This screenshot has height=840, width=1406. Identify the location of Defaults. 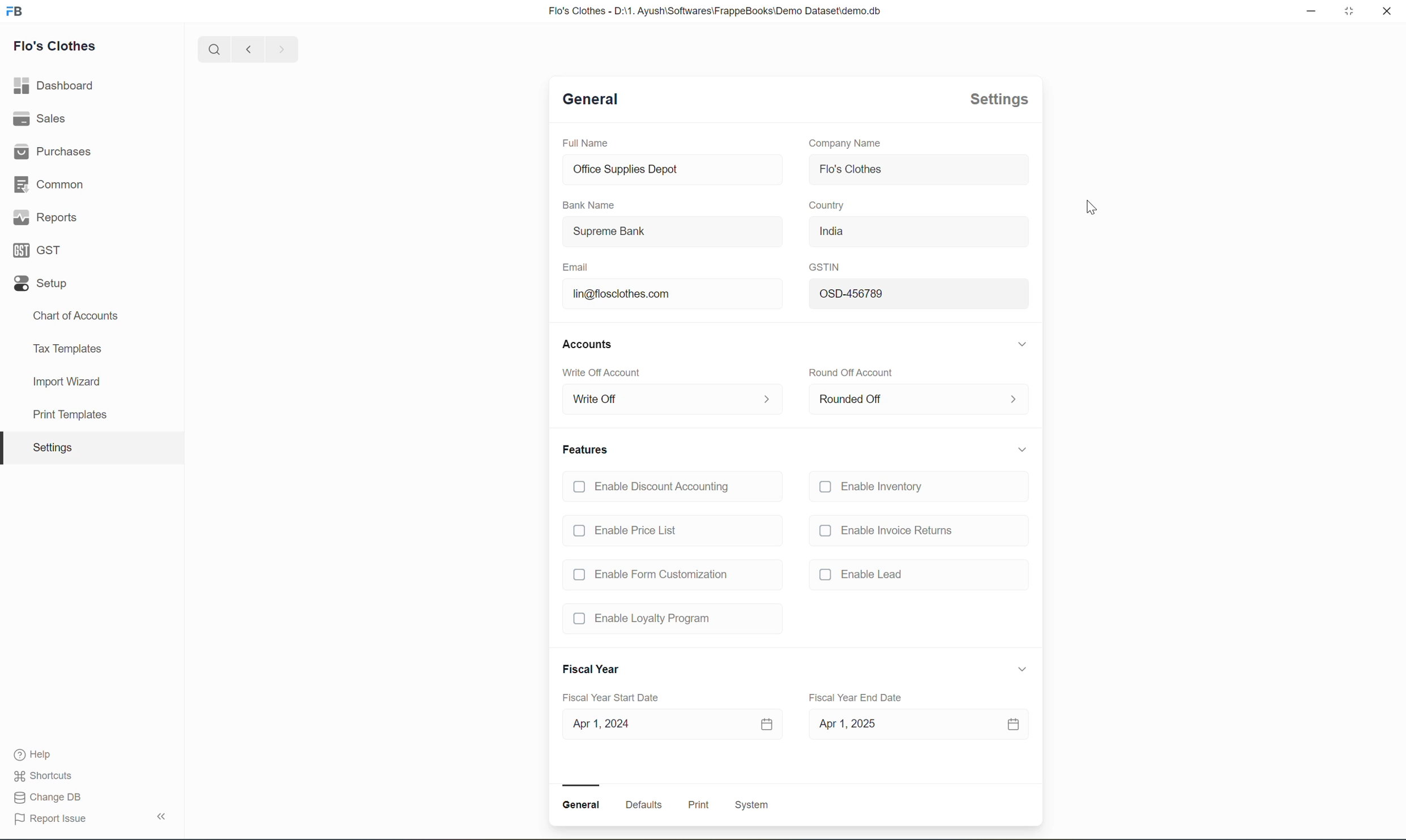
(643, 804).